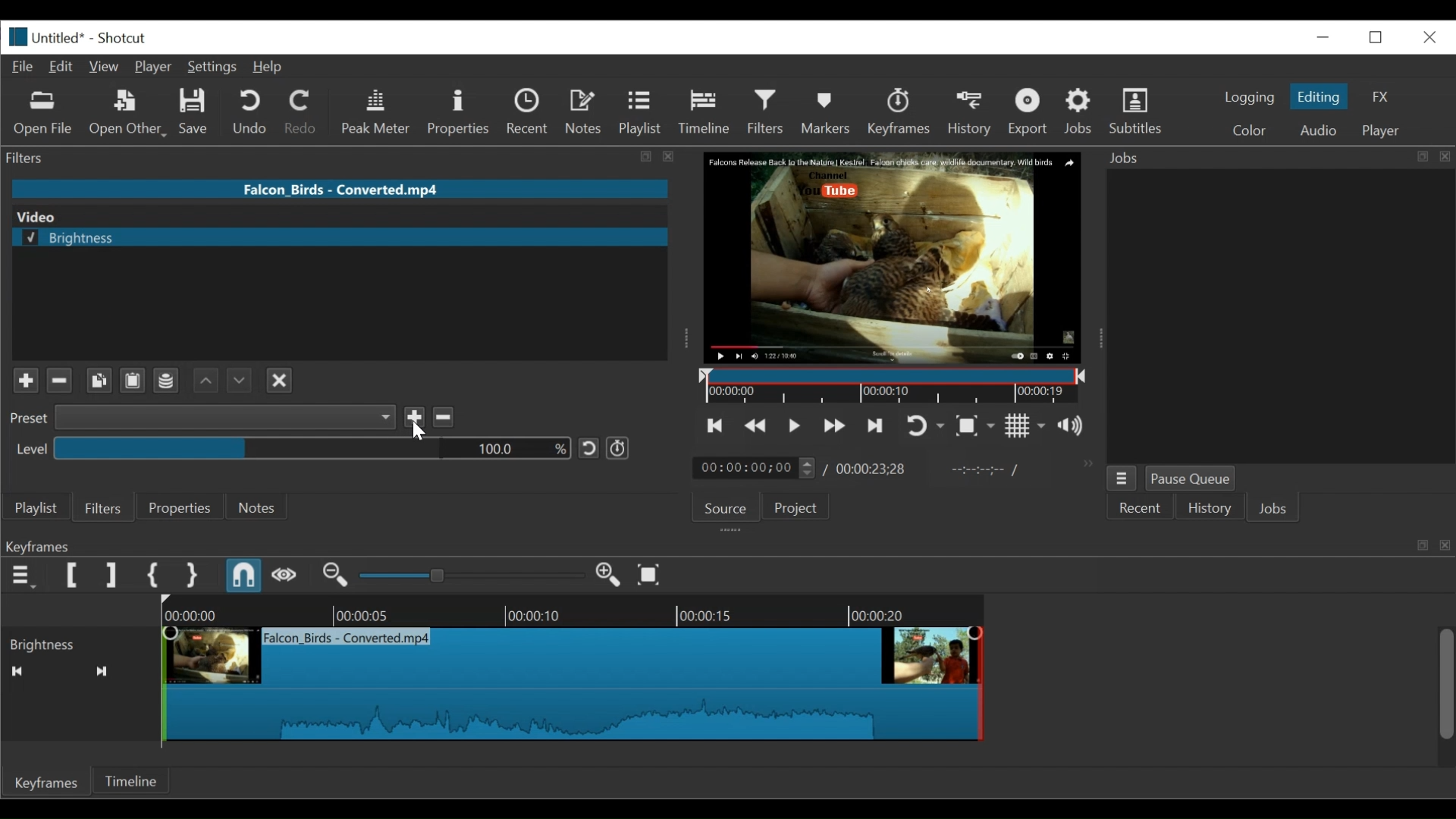  What do you see at coordinates (236, 378) in the screenshot?
I see `Forward` at bounding box center [236, 378].